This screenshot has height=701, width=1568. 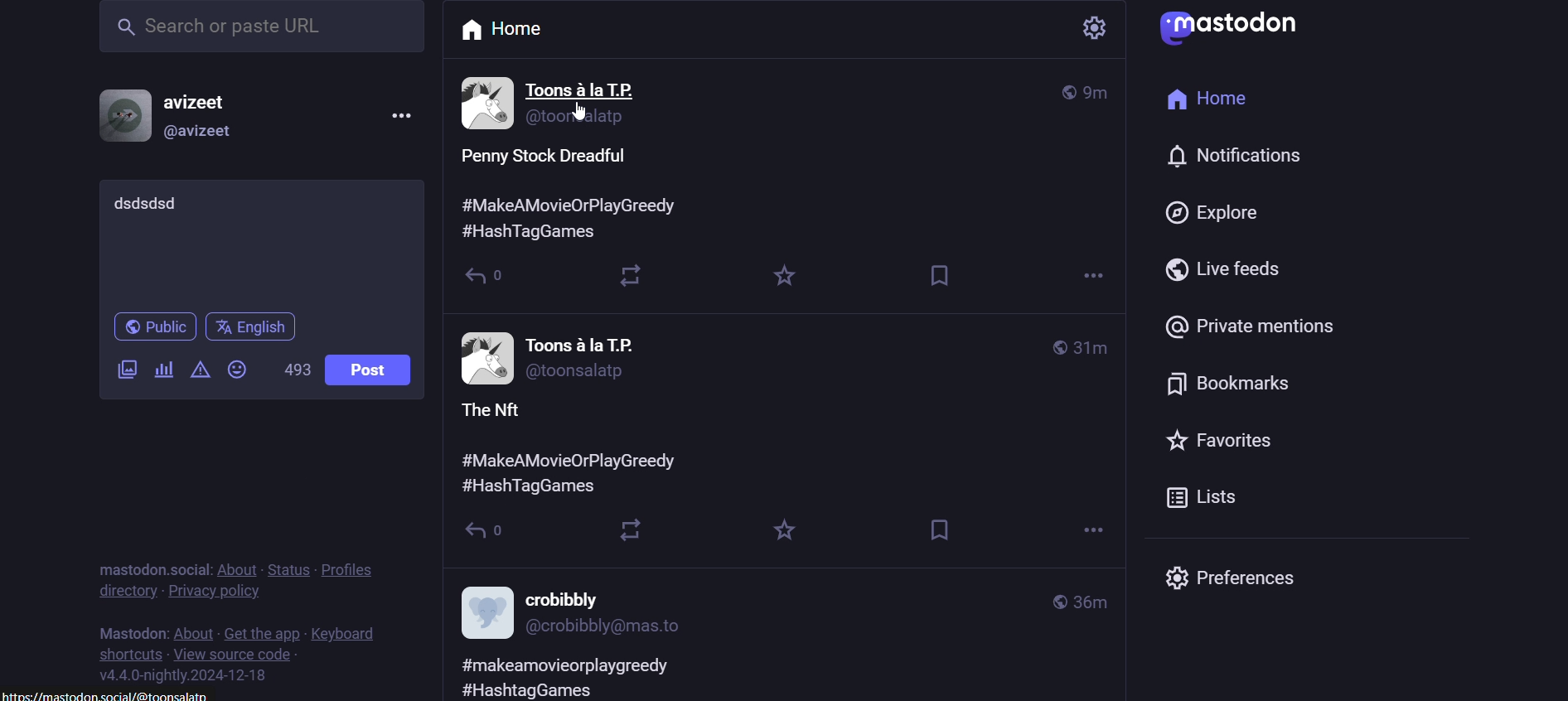 What do you see at coordinates (258, 631) in the screenshot?
I see `get the app` at bounding box center [258, 631].